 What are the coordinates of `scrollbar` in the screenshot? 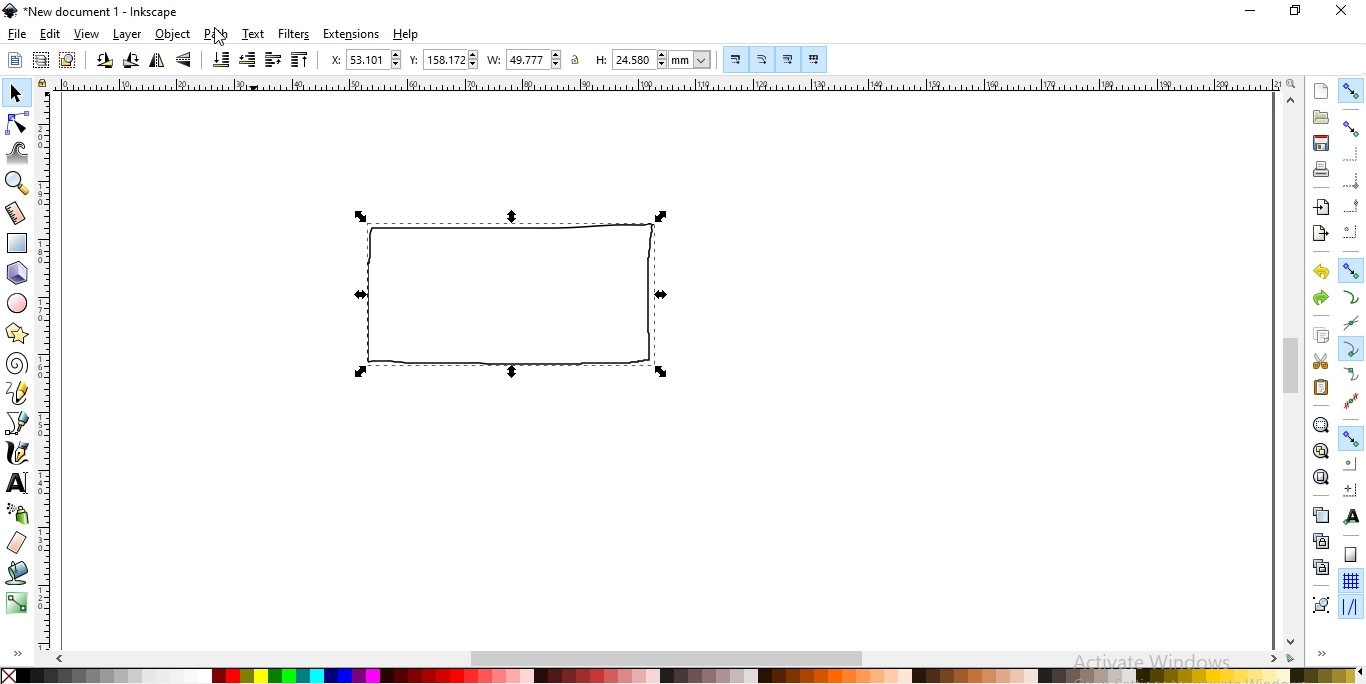 It's located at (668, 660).